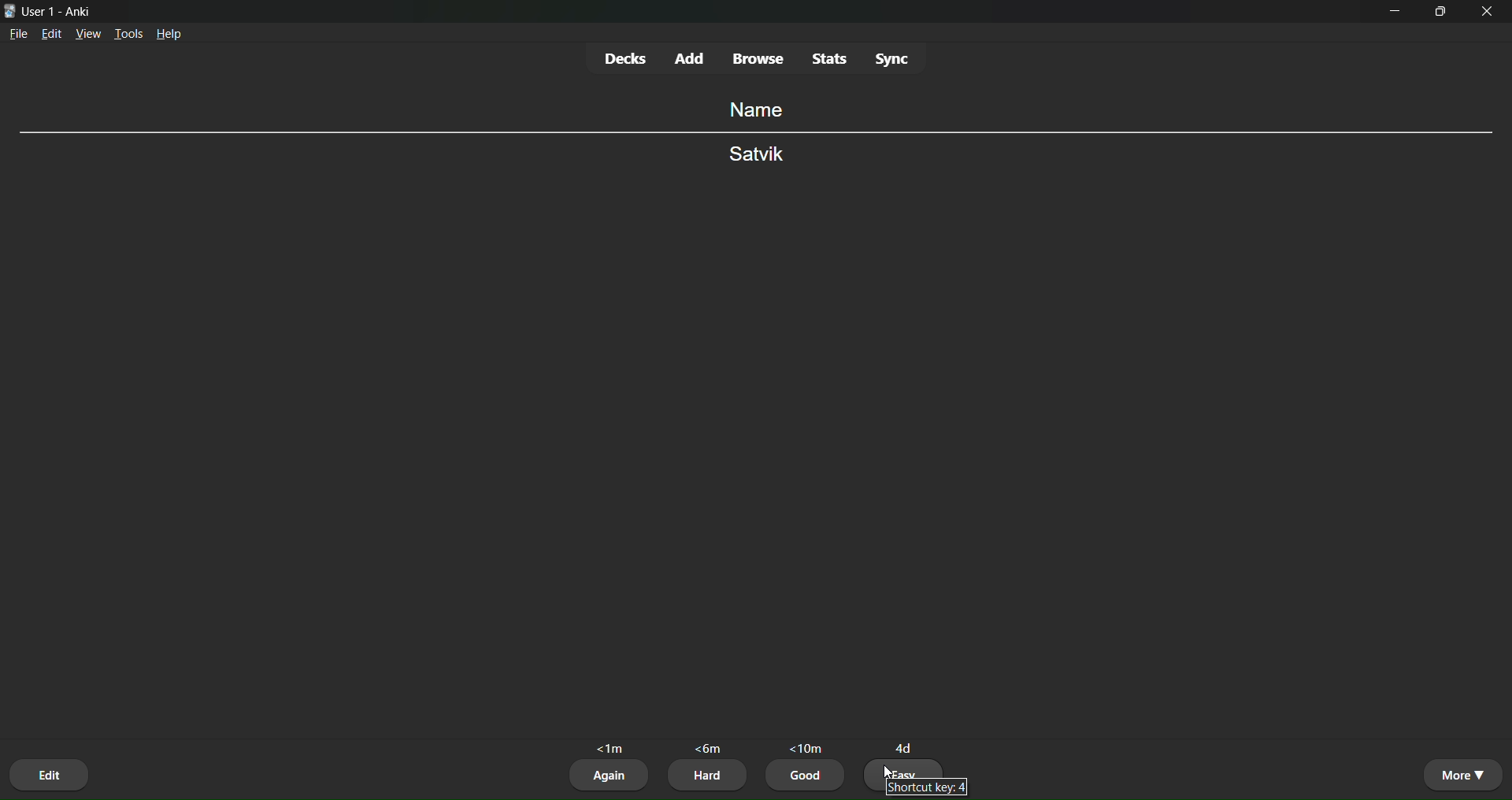 The image size is (1512, 800). What do you see at coordinates (895, 59) in the screenshot?
I see `Sync` at bounding box center [895, 59].